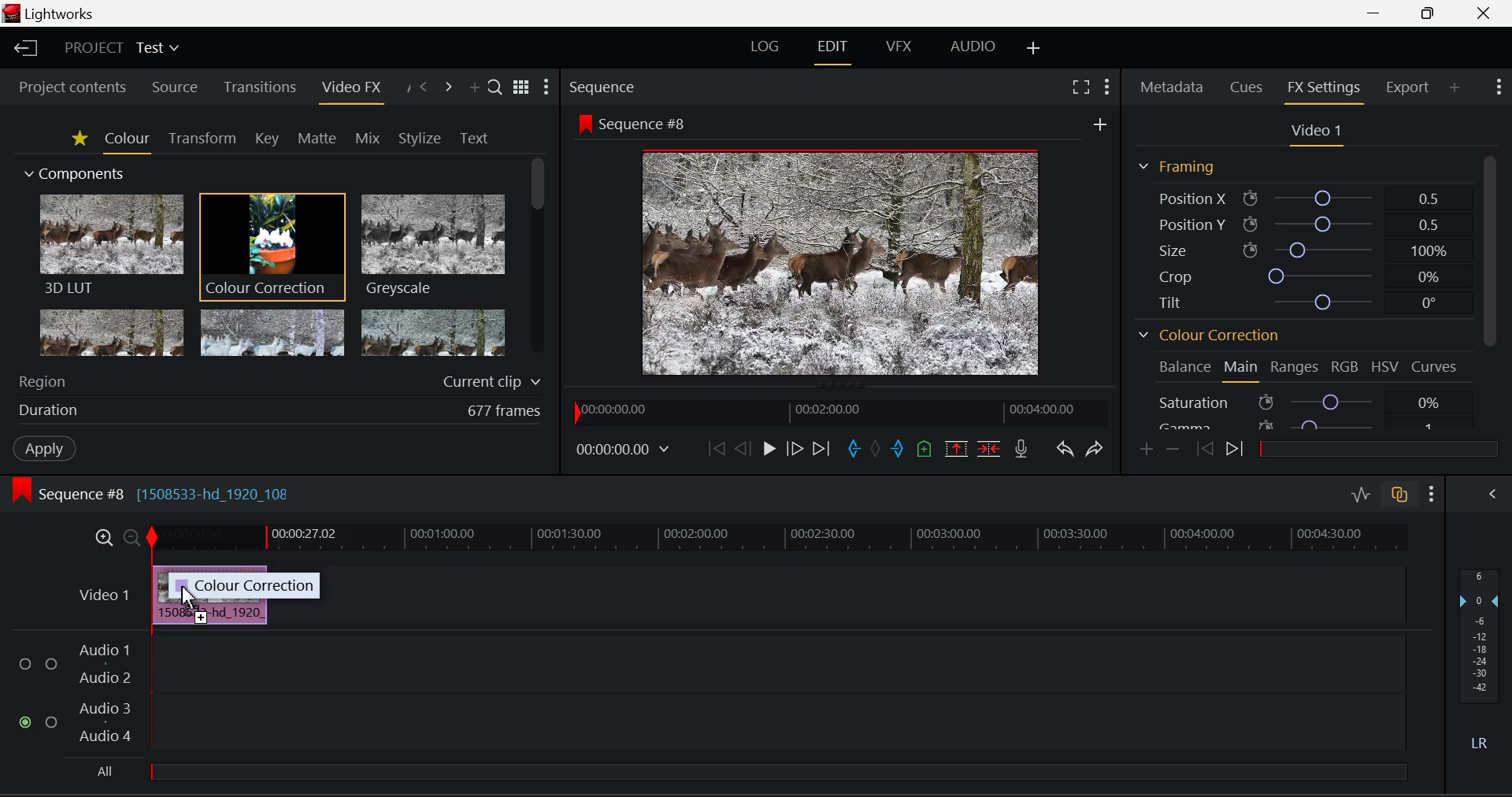 This screenshot has width=1512, height=797. Describe the element at coordinates (1242, 370) in the screenshot. I see `Main Tab Open` at that location.